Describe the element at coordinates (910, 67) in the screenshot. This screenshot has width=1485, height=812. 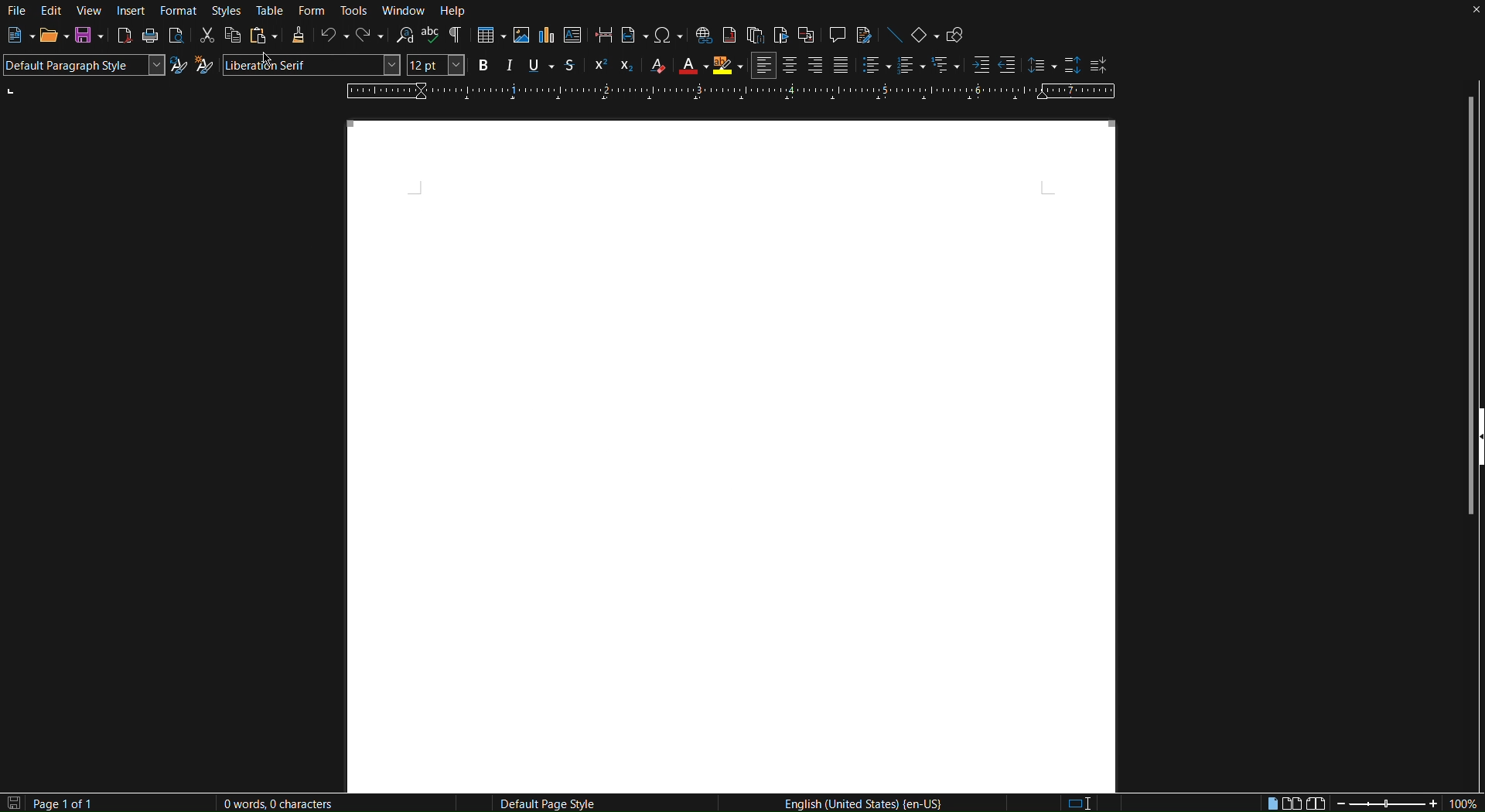
I see `Toggle ordered list` at that location.